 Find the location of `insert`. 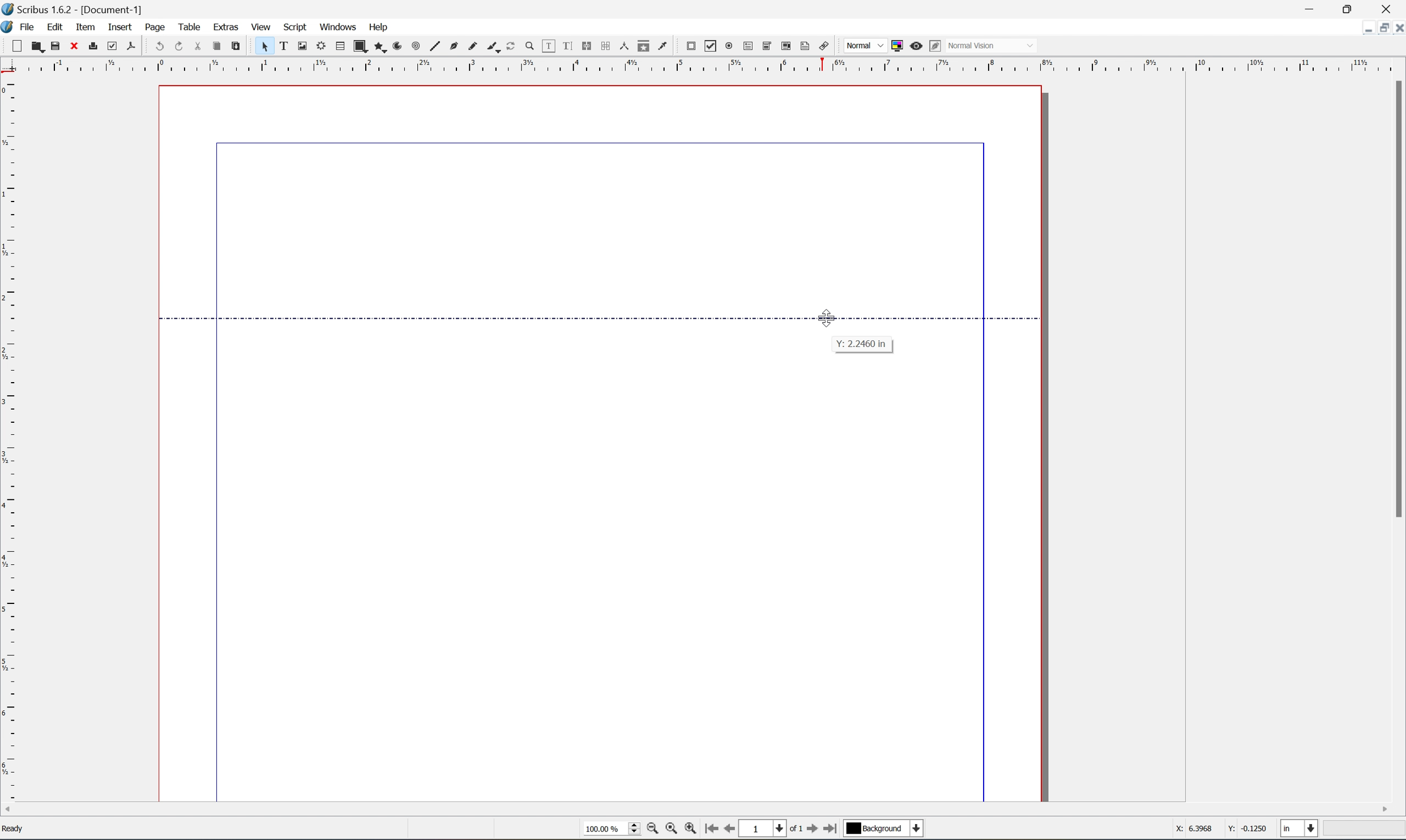

insert is located at coordinates (113, 25).